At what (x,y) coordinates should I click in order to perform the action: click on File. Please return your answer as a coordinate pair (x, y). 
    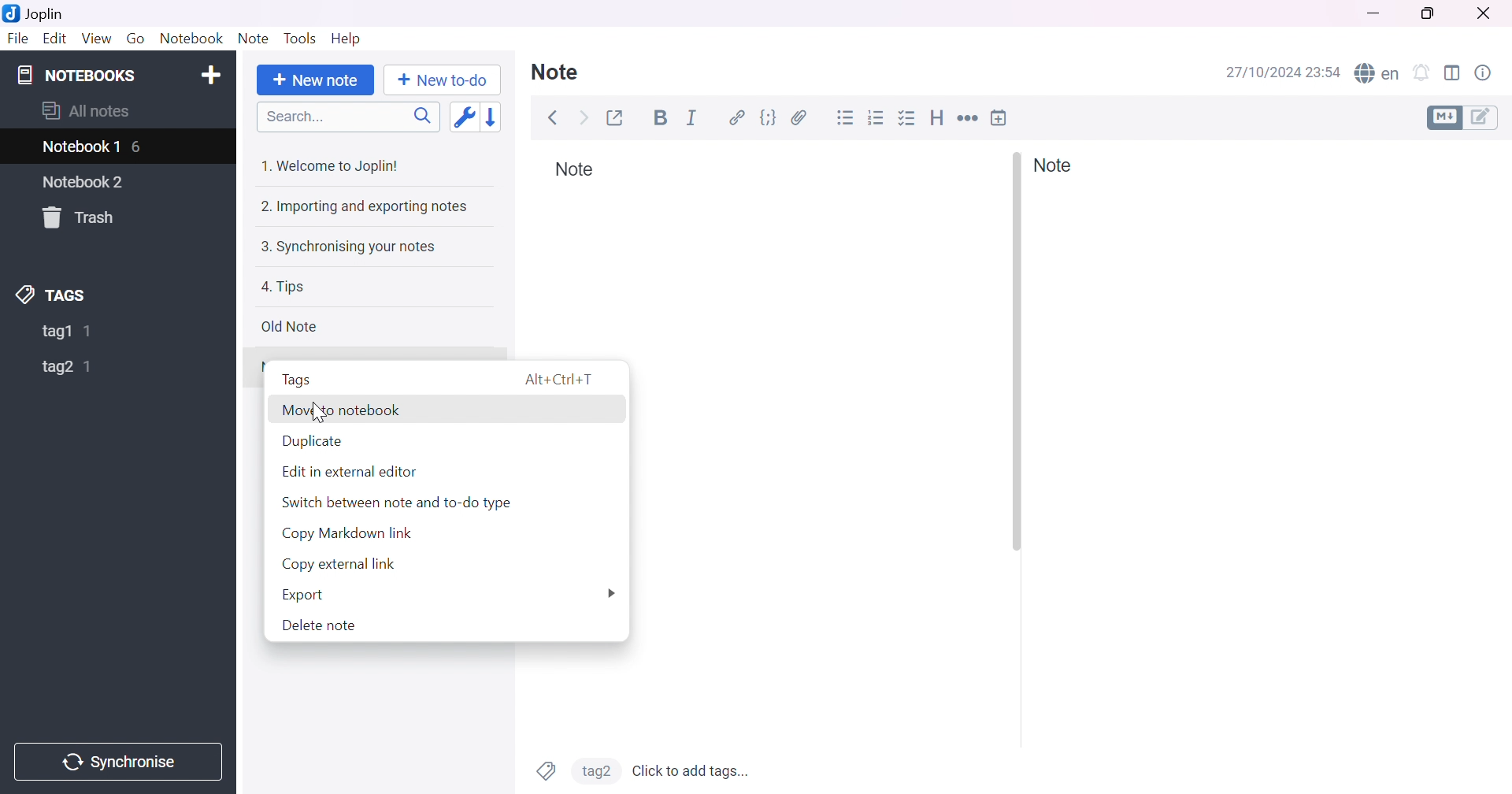
    Looking at the image, I should click on (16, 39).